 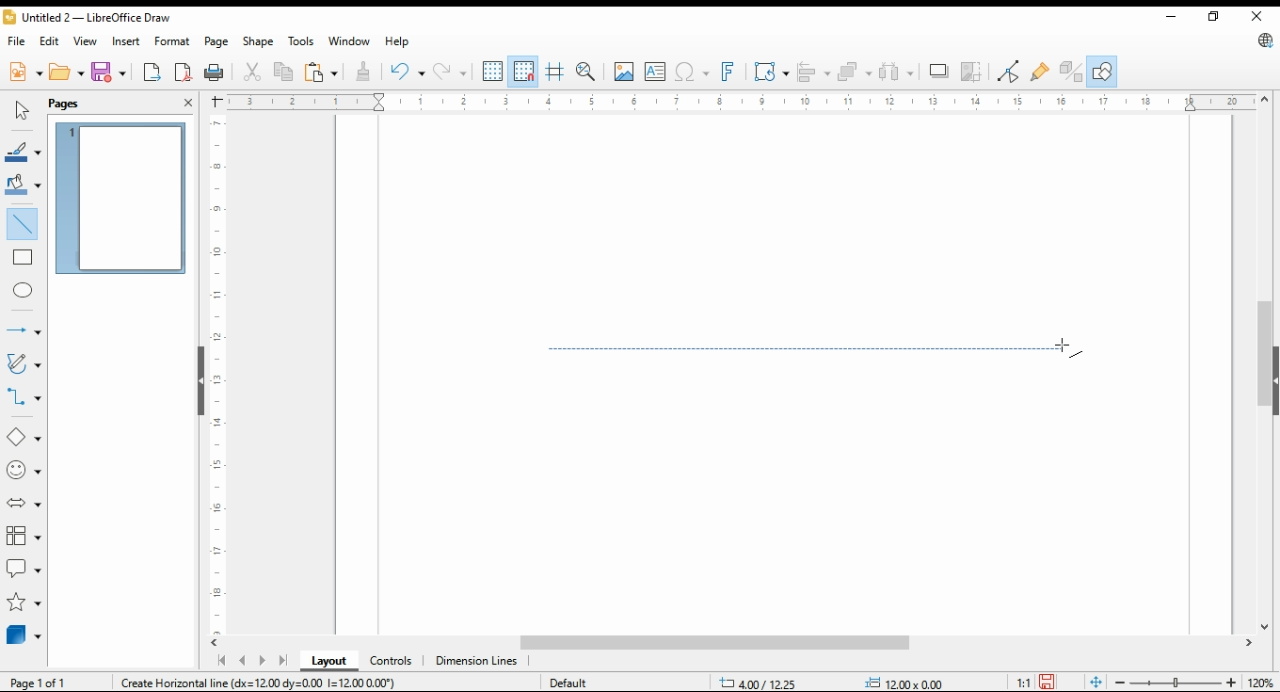 I want to click on page, so click(x=219, y=41).